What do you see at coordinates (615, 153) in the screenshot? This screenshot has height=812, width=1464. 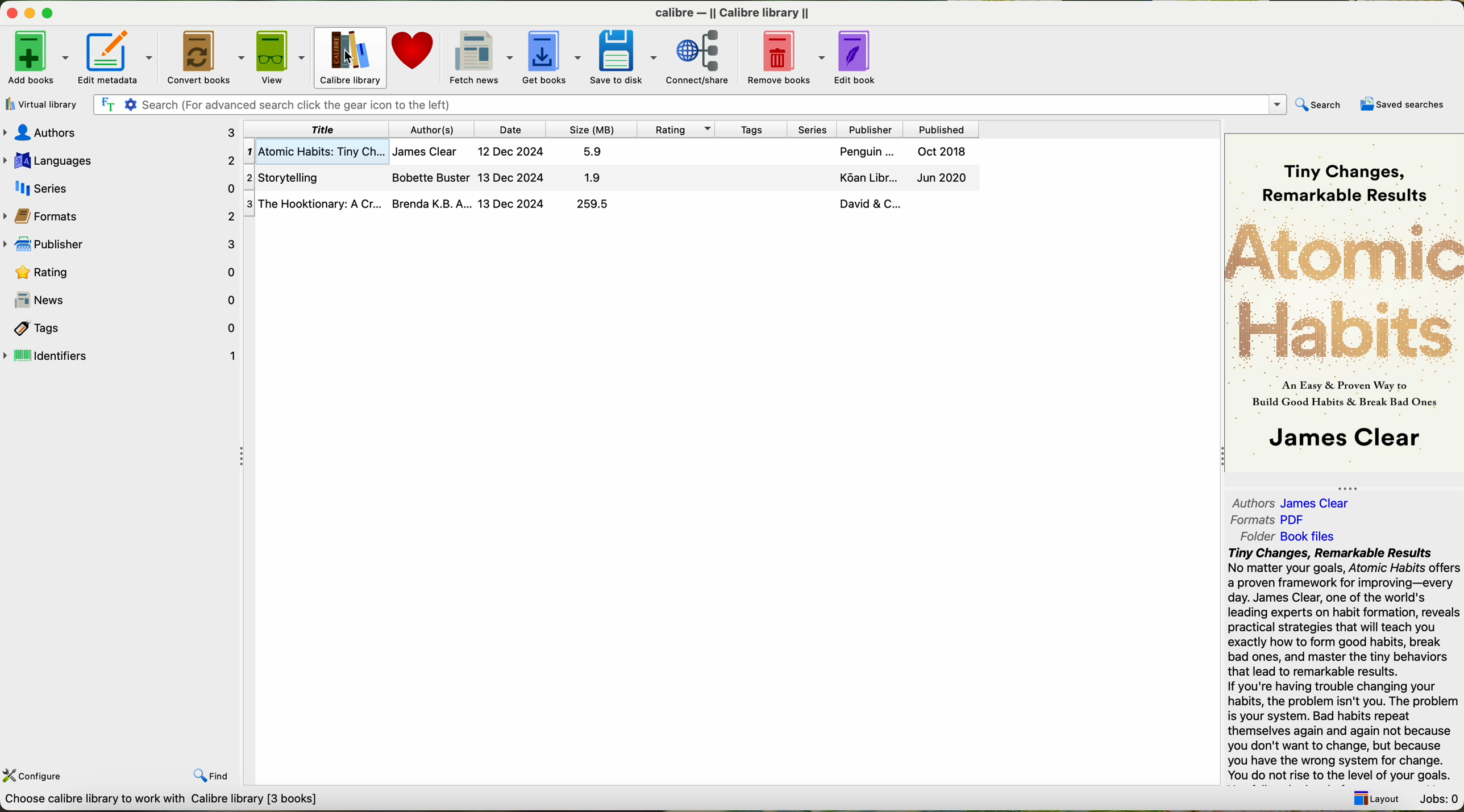 I see `First Book Atomic Habits` at bounding box center [615, 153].